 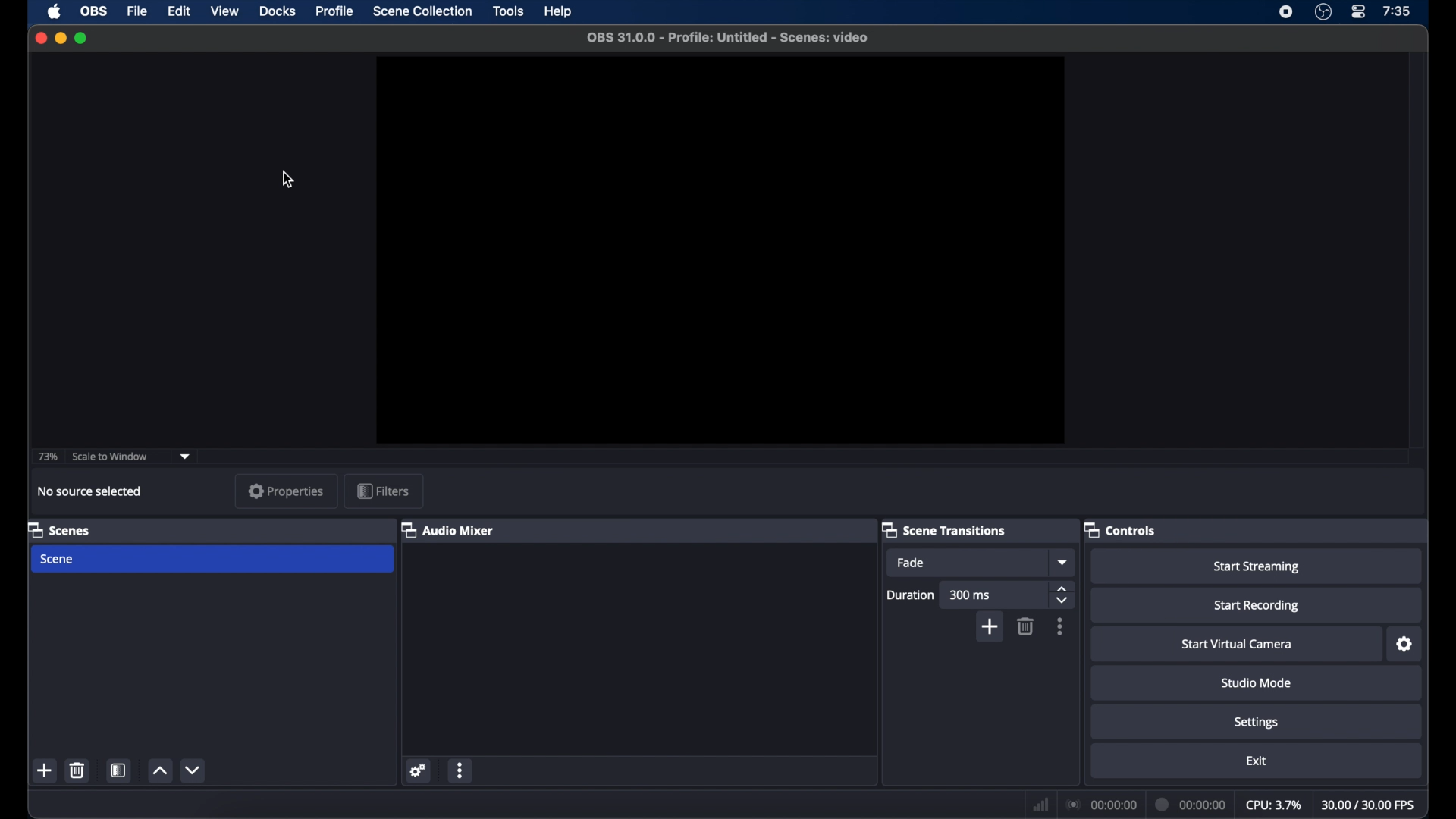 I want to click on filename, so click(x=727, y=38).